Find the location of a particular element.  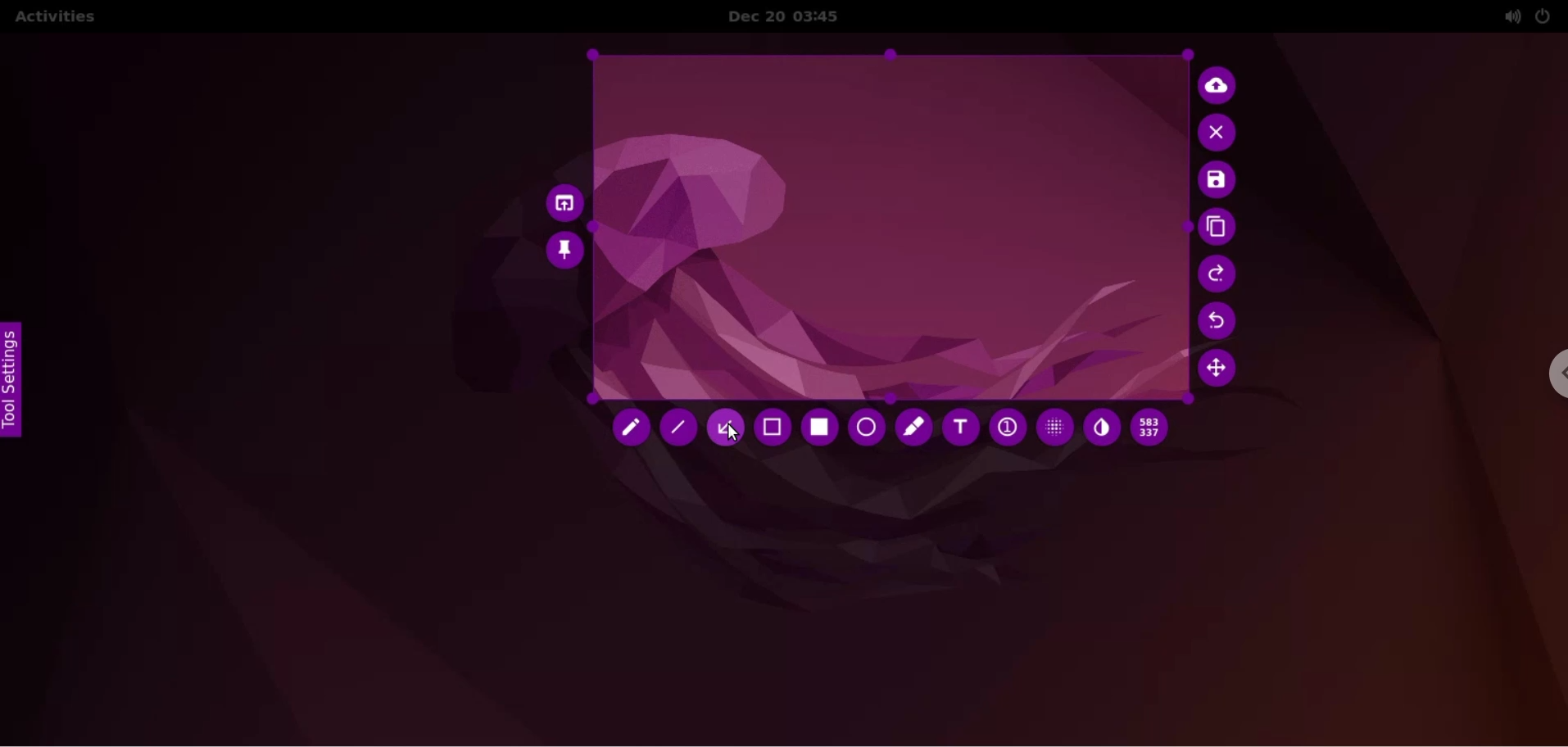

move selection is located at coordinates (1222, 372).